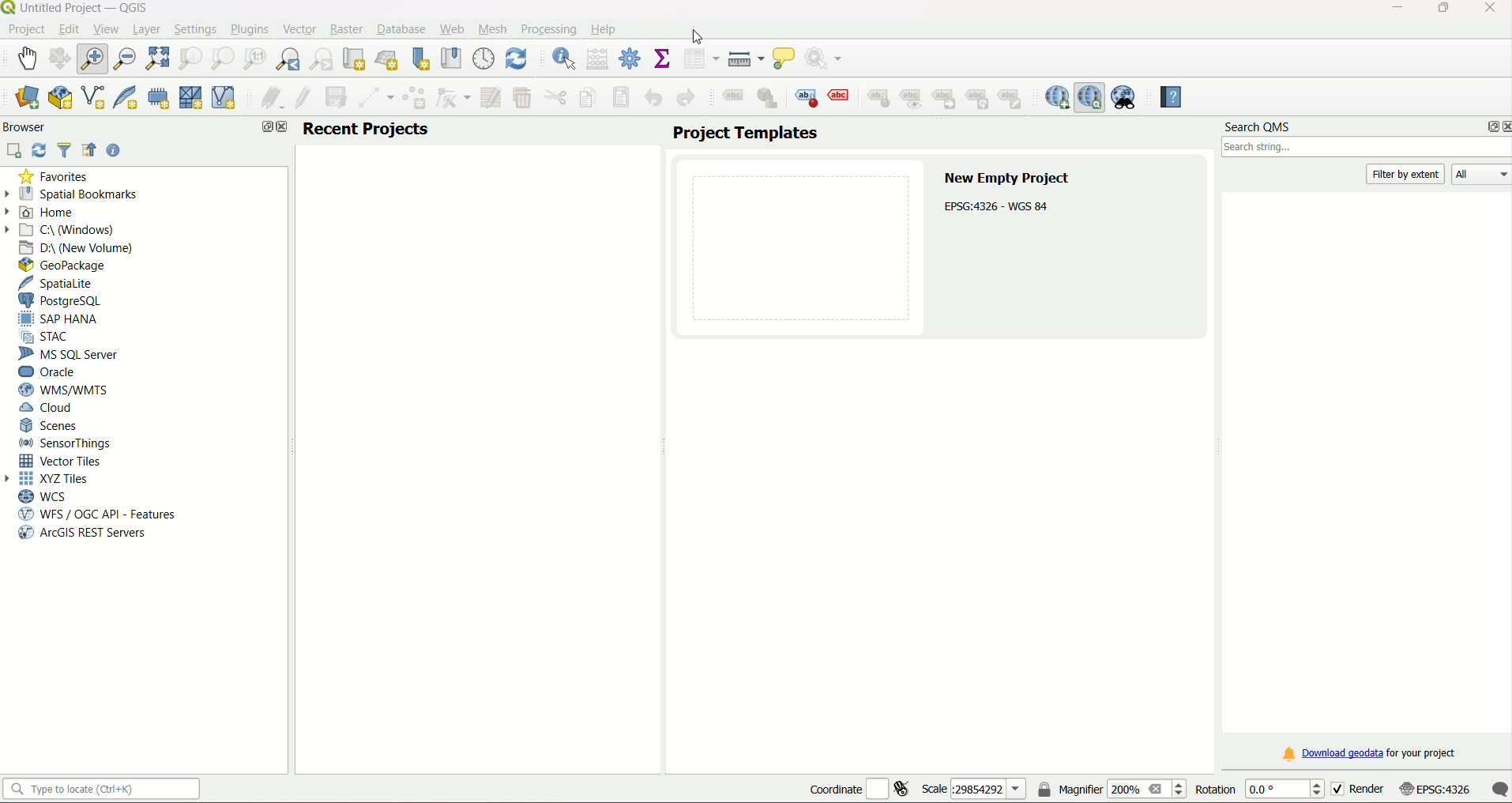 The image size is (1512, 803). What do you see at coordinates (227, 97) in the screenshot?
I see `new virtual layer` at bounding box center [227, 97].